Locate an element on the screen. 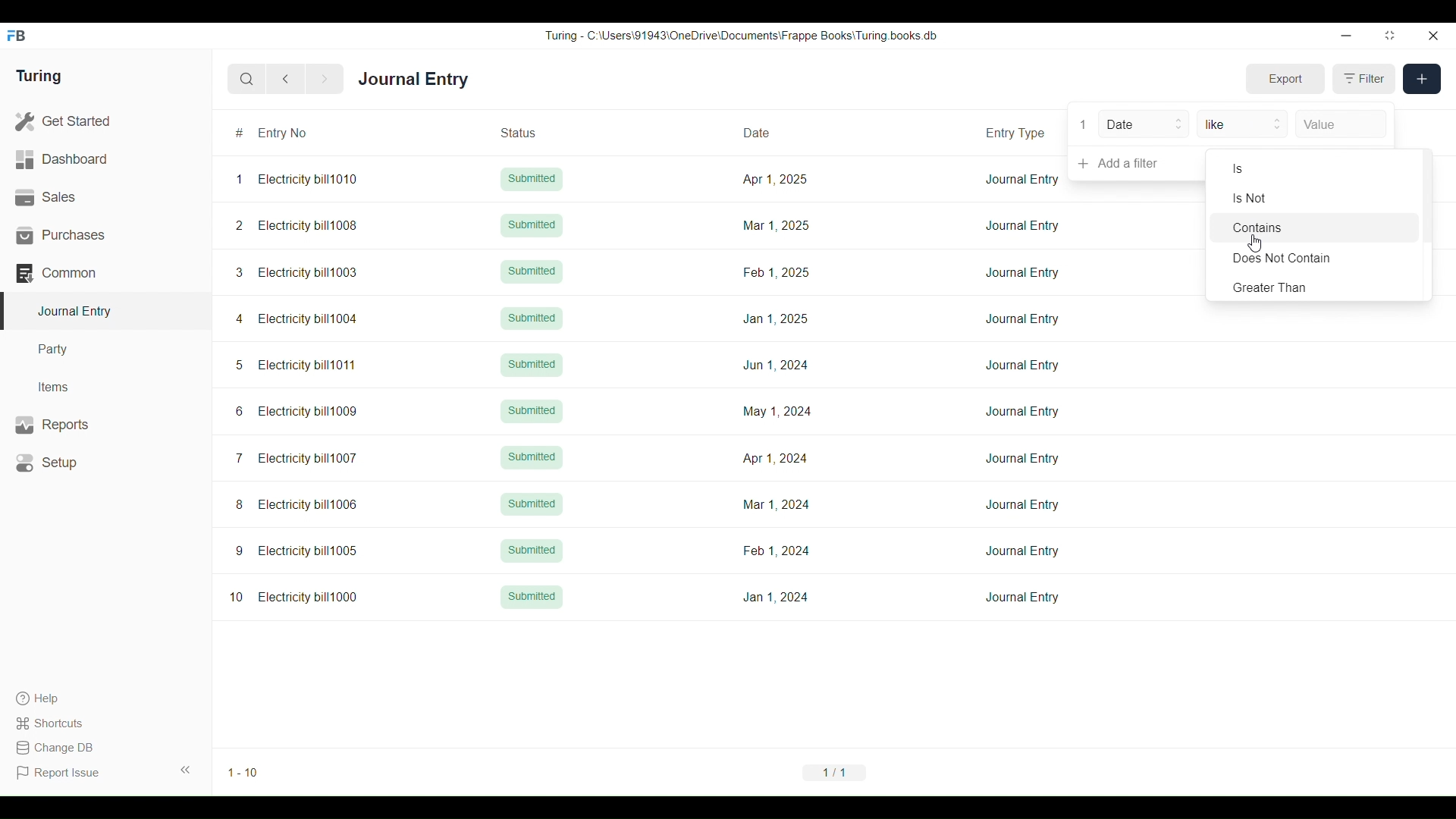 This screenshot has height=819, width=1456. 8 Electricity bill1006 is located at coordinates (297, 504).